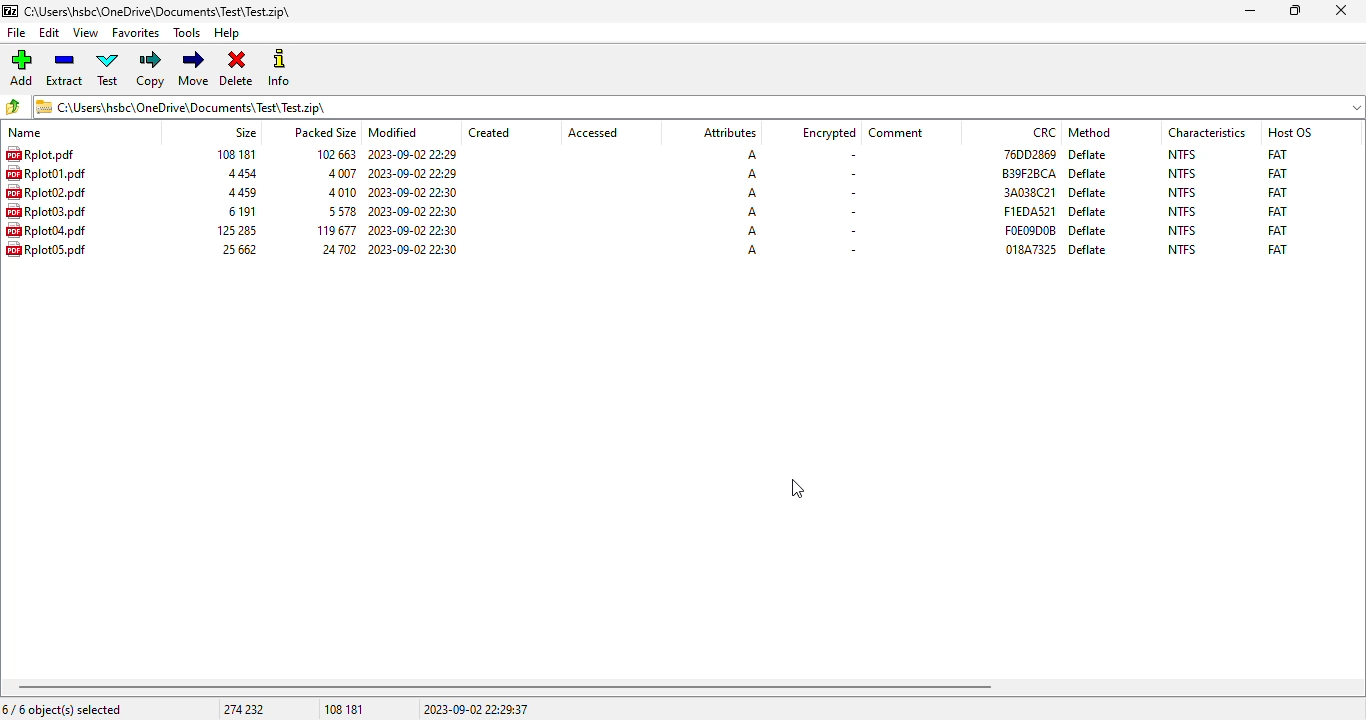  I want to click on delete, so click(236, 69).